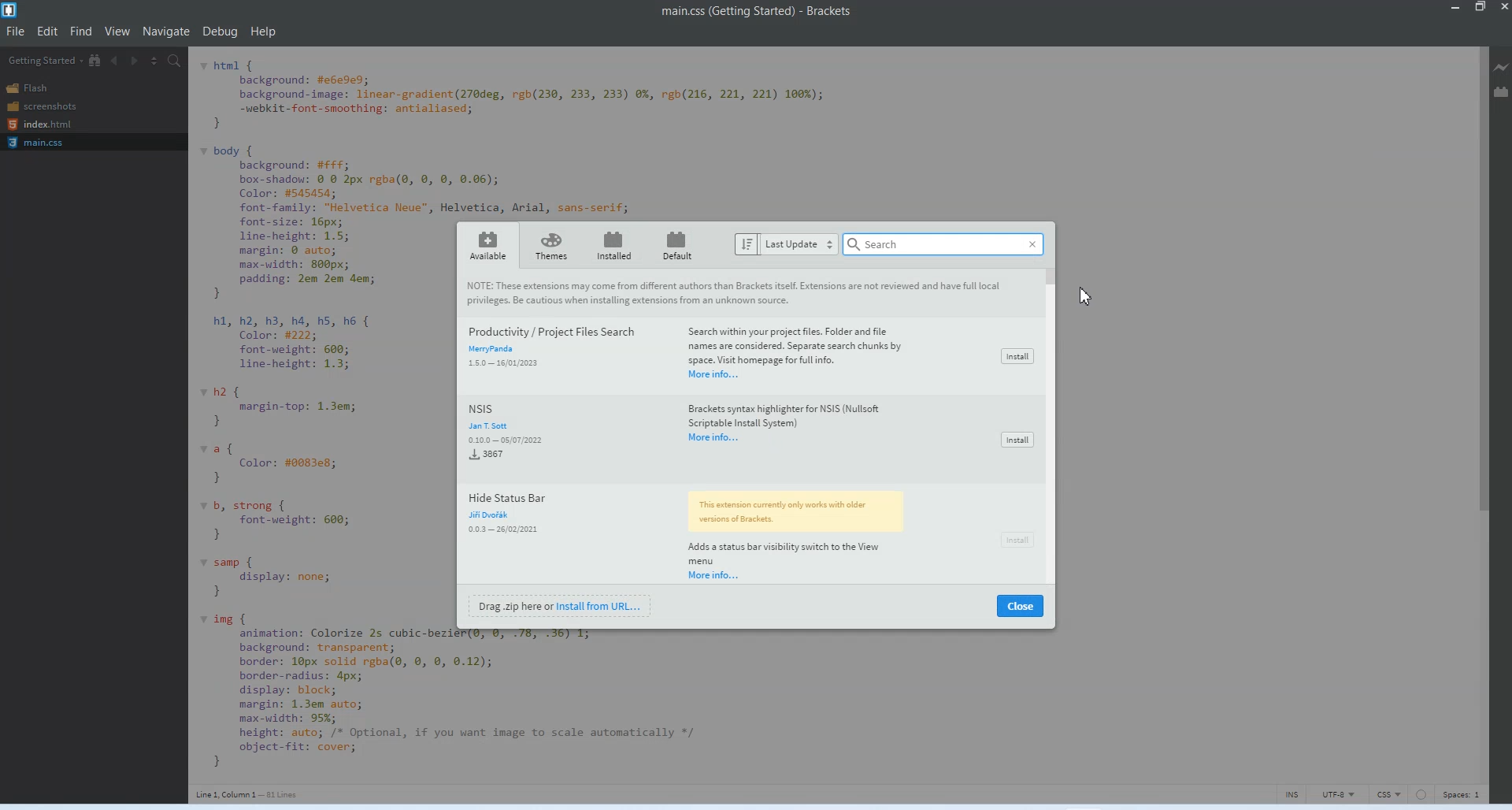 This screenshot has height=810, width=1512. What do you see at coordinates (736, 293) in the screenshot?
I see `Text` at bounding box center [736, 293].